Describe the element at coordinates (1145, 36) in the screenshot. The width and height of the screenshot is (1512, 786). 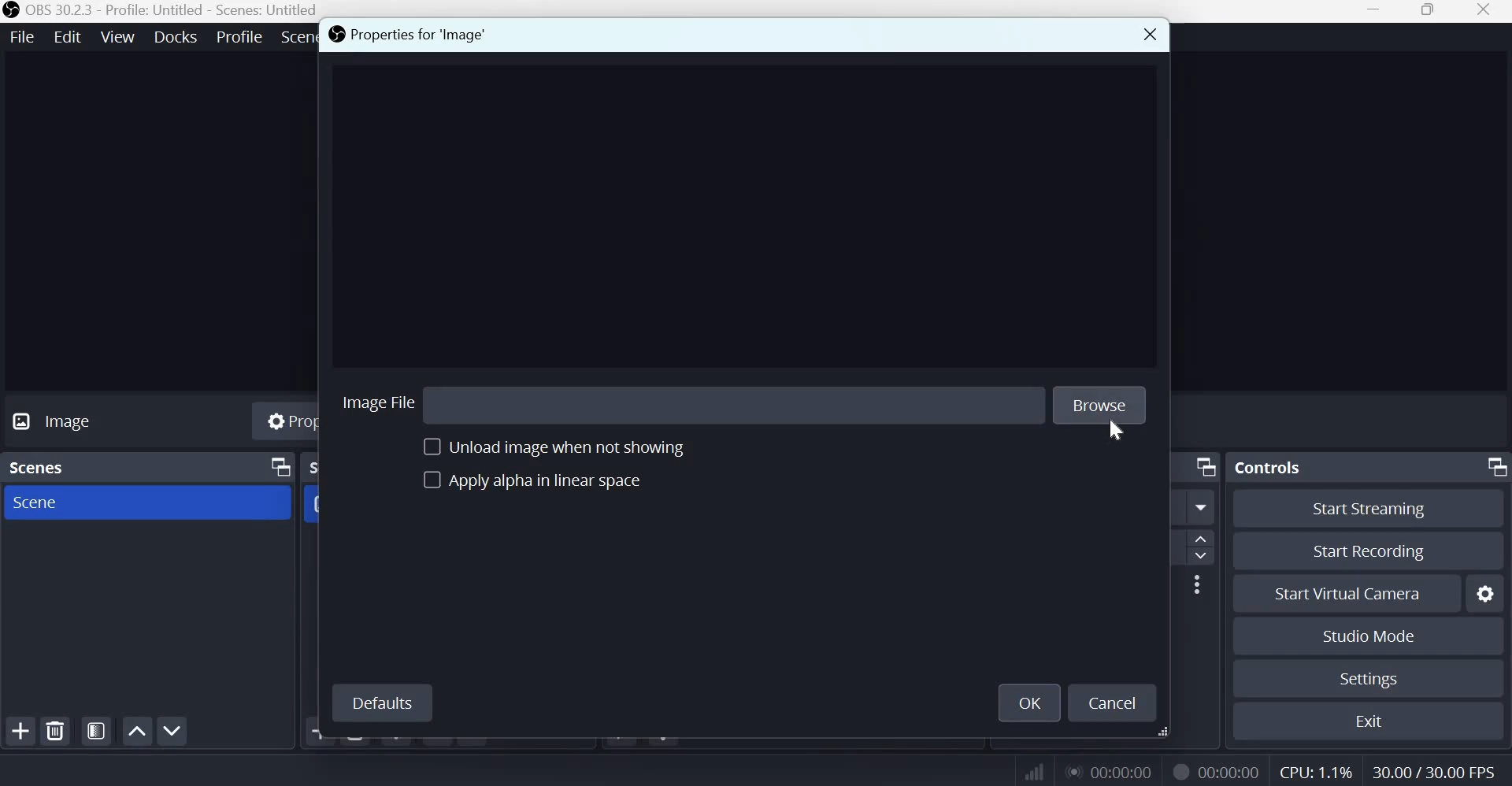
I see `Close` at that location.